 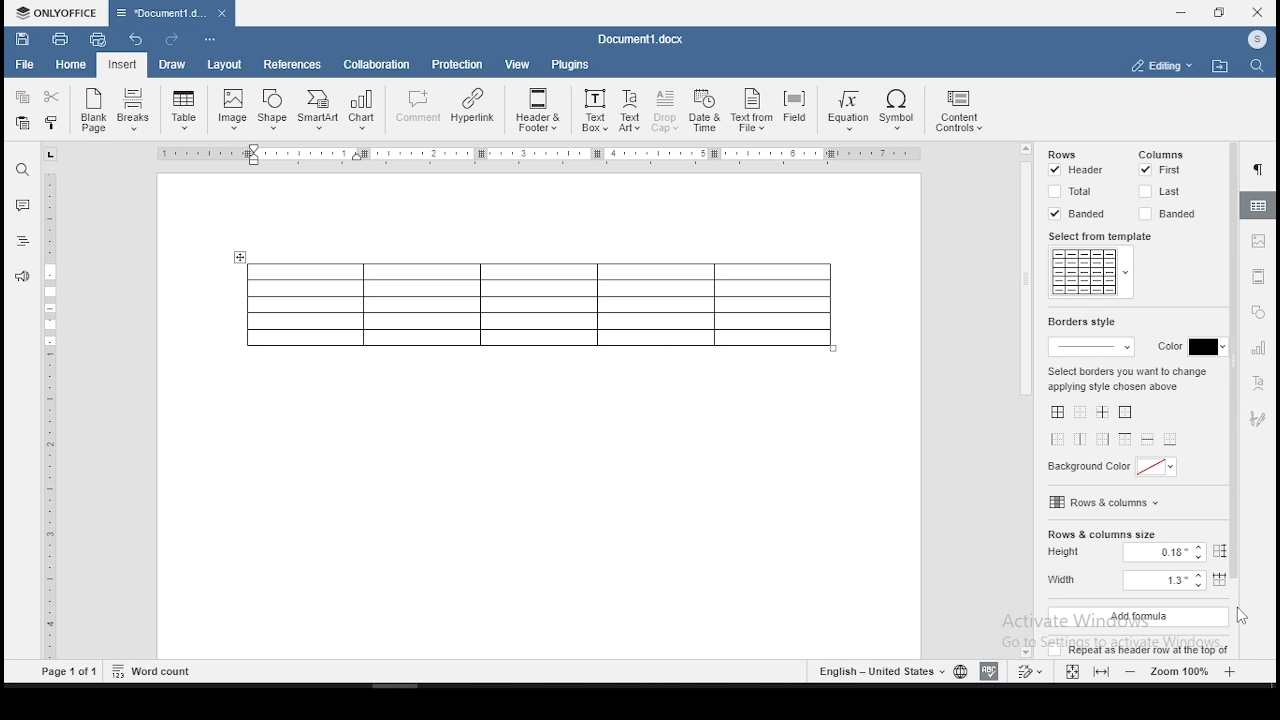 I want to click on languages, so click(x=889, y=670).